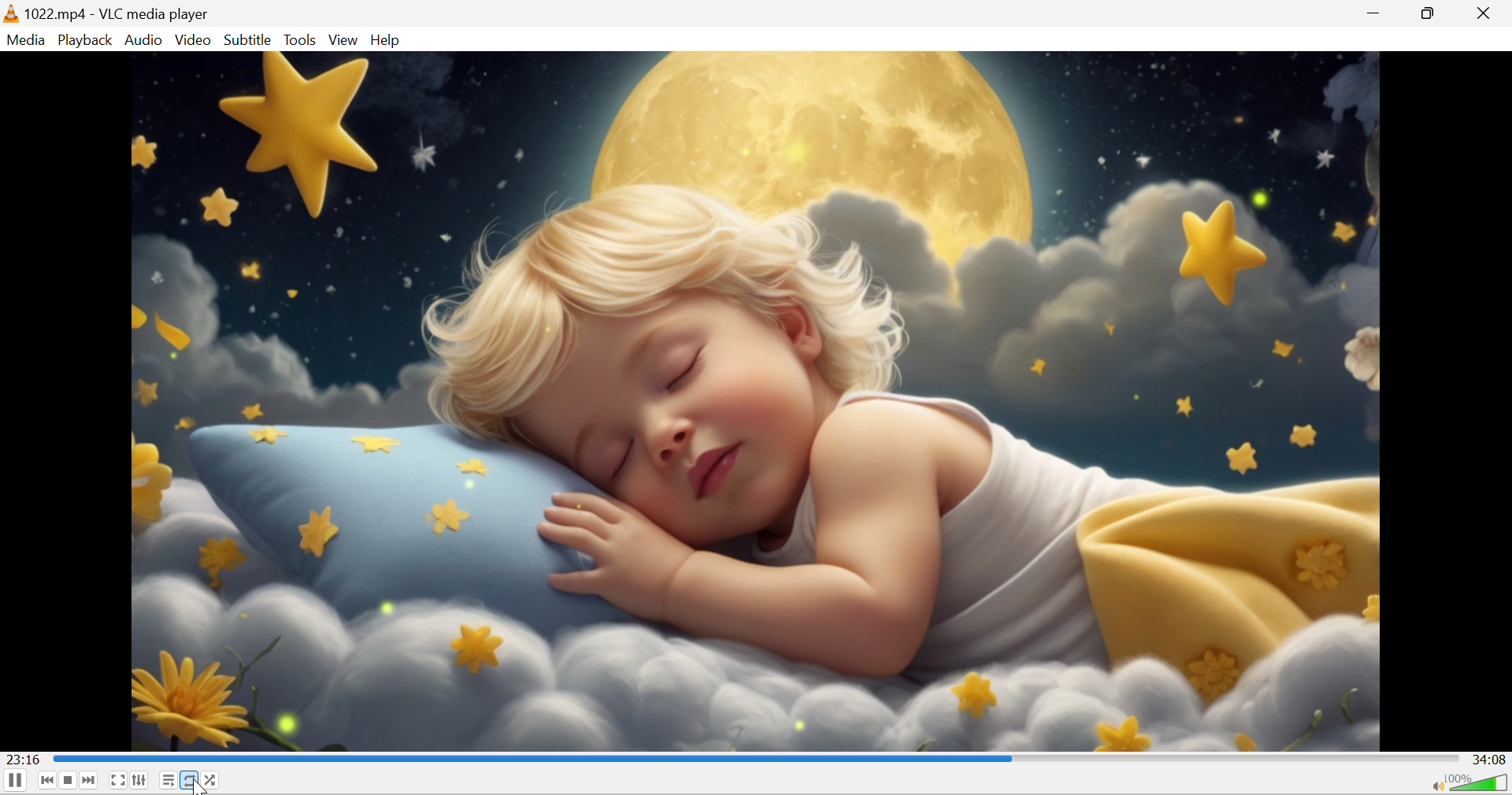 Image resolution: width=1512 pixels, height=795 pixels. What do you see at coordinates (188, 779) in the screenshot?
I see `repeat` at bounding box center [188, 779].